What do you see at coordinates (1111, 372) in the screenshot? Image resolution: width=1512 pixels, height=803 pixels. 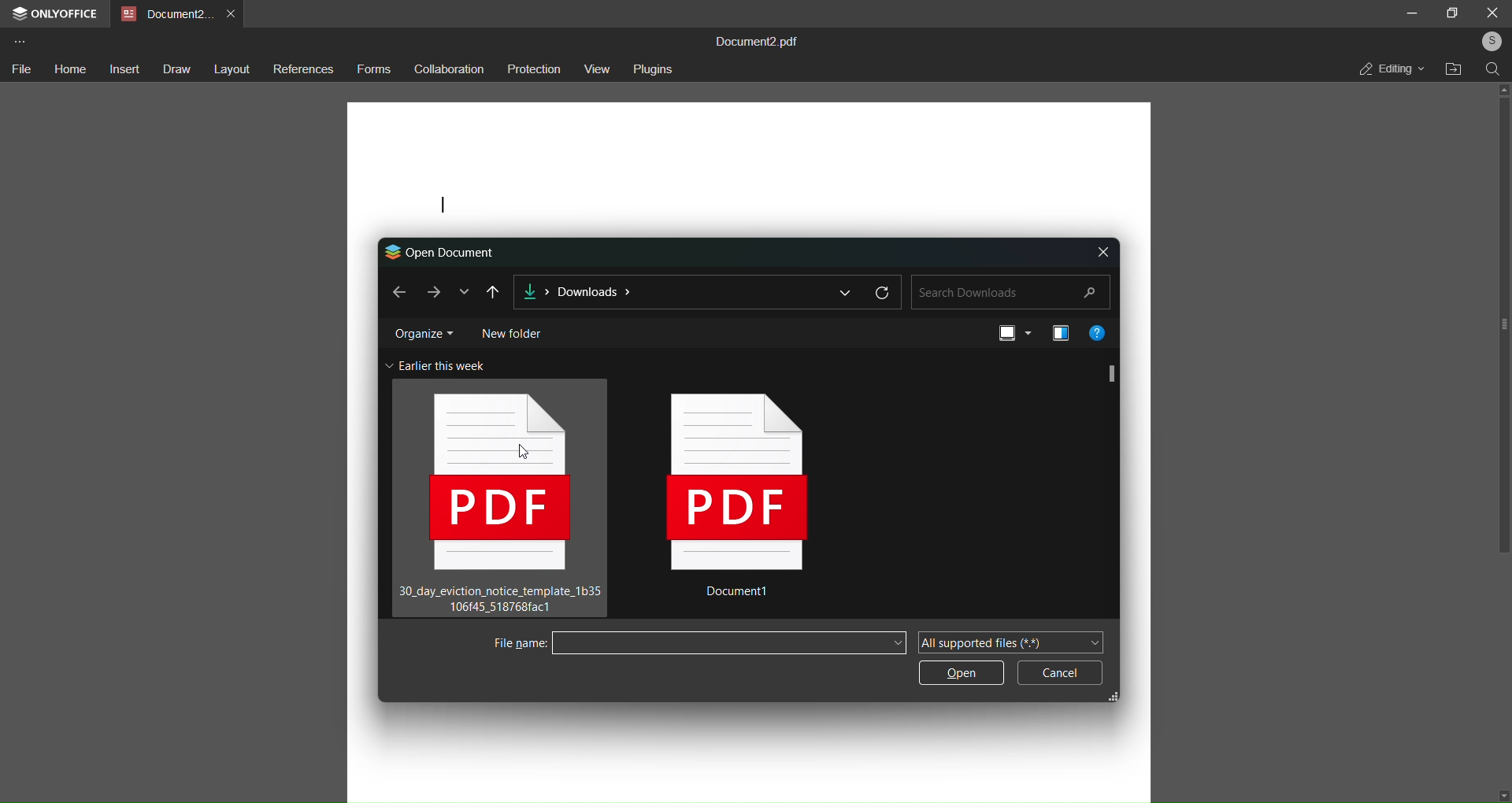 I see `scroll bar` at bounding box center [1111, 372].